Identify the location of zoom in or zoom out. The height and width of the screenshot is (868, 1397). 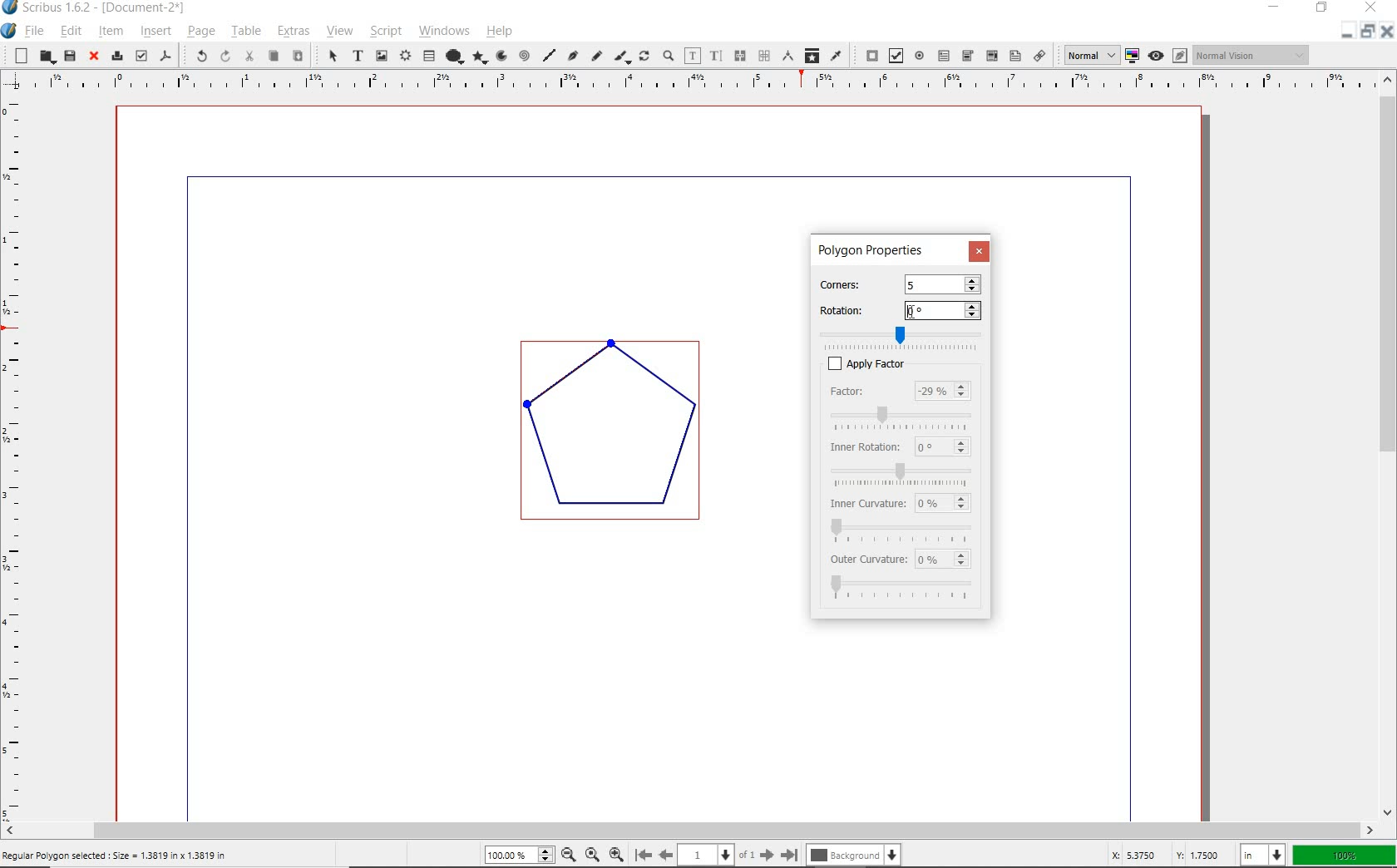
(668, 55).